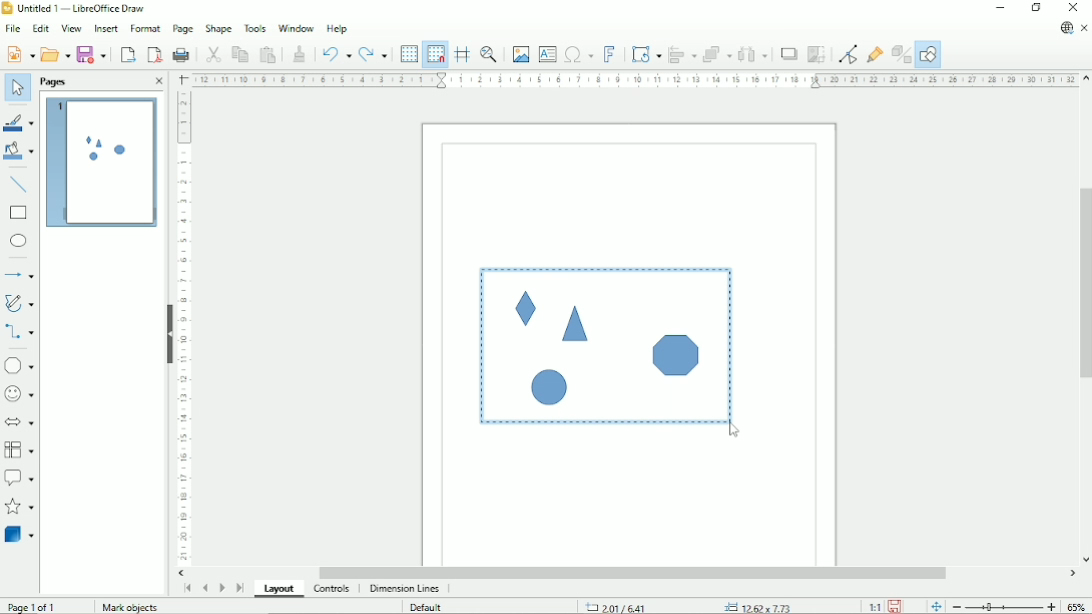 Image resolution: width=1092 pixels, height=614 pixels. I want to click on Fit page to the current window, so click(934, 605).